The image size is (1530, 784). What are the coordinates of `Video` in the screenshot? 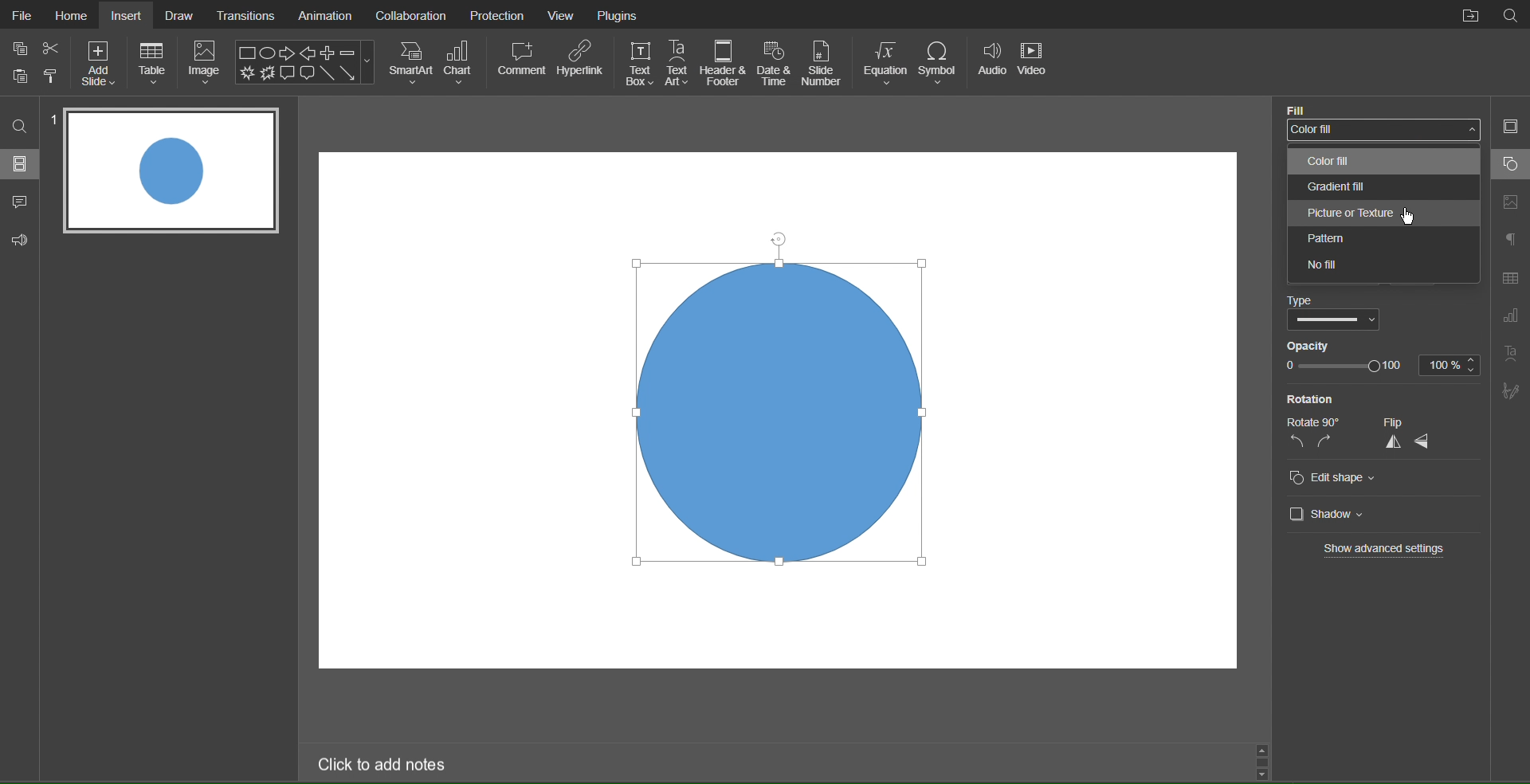 It's located at (1035, 65).